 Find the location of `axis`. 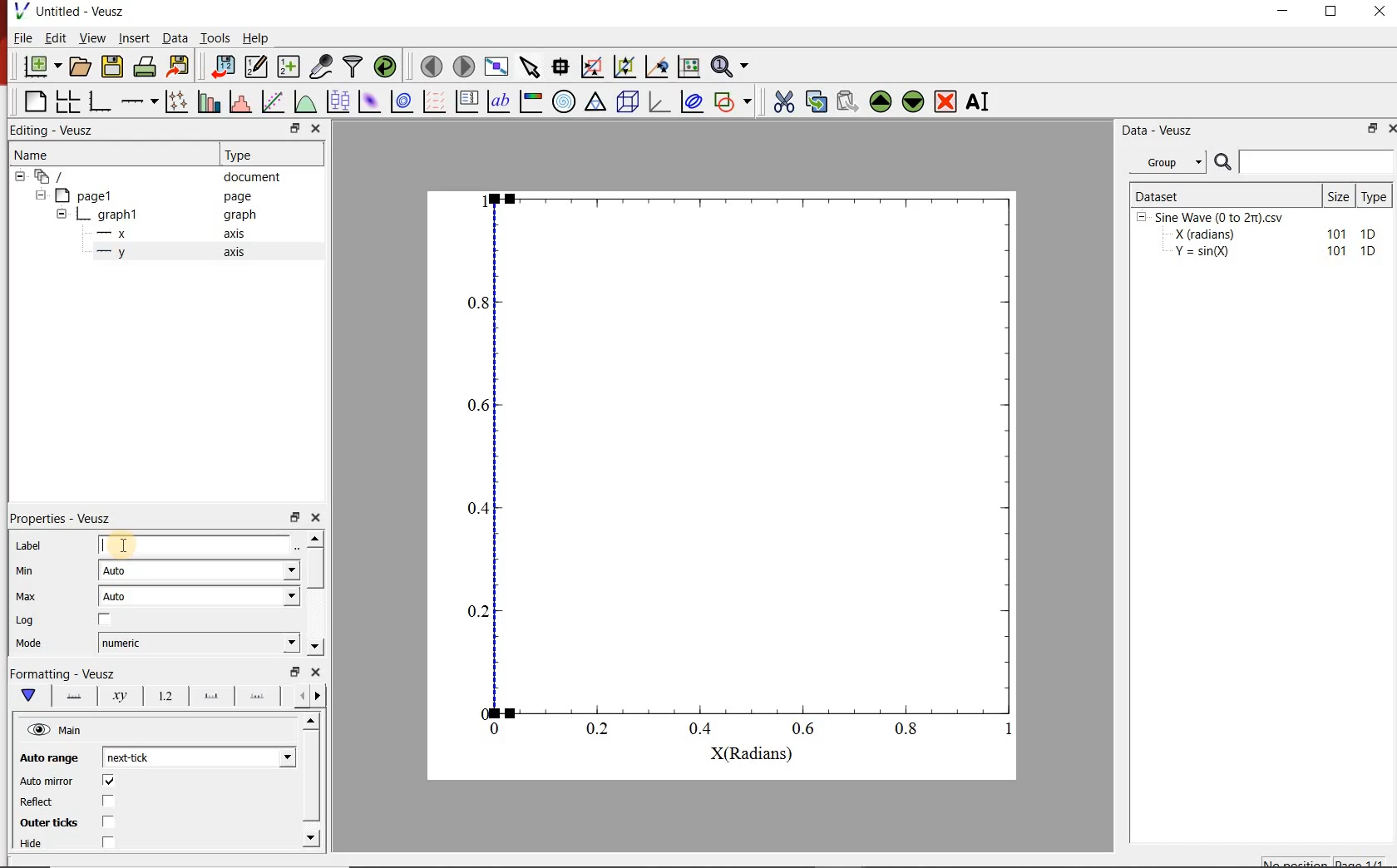

axis is located at coordinates (235, 233).